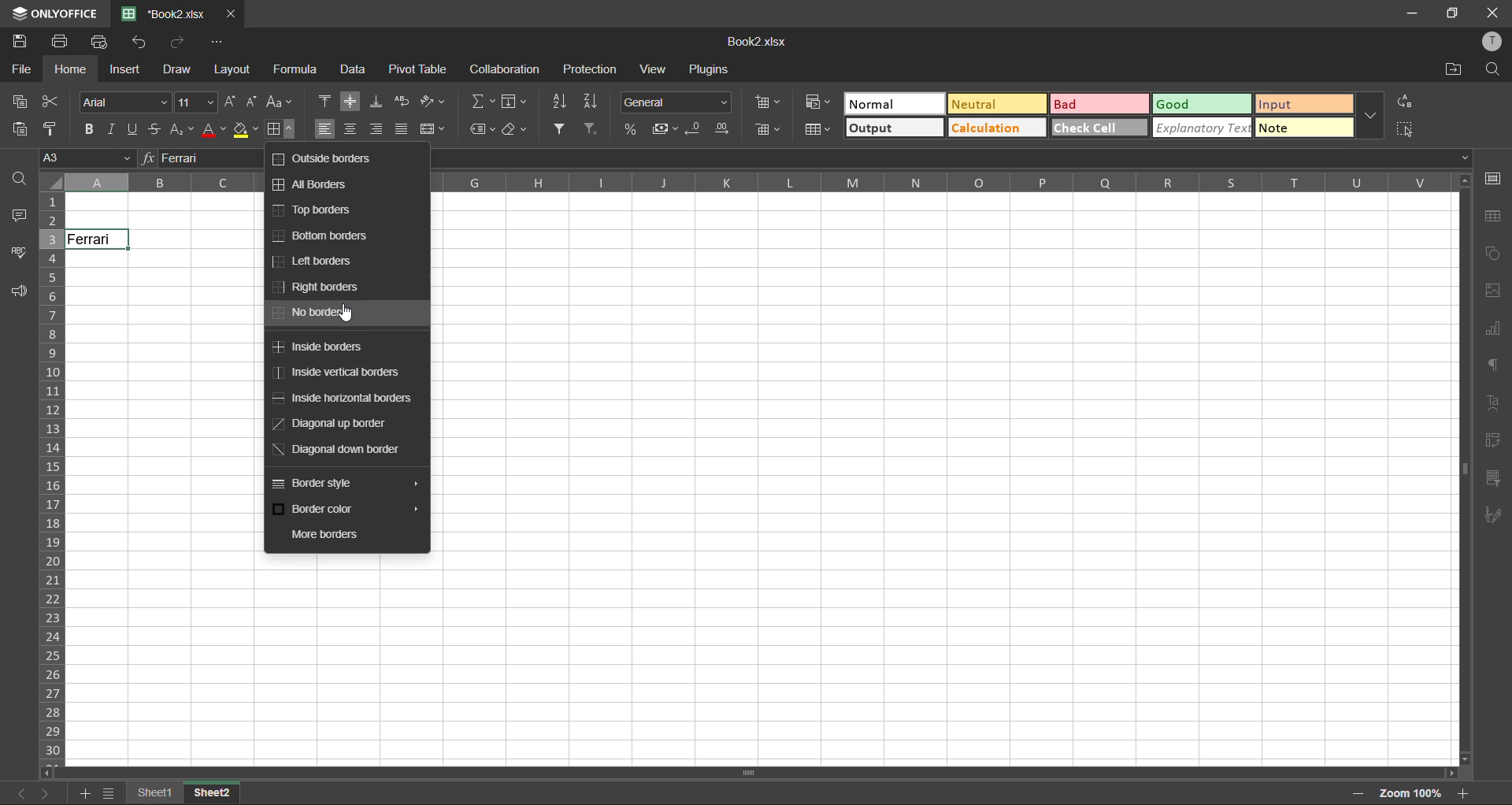  Describe the element at coordinates (320, 287) in the screenshot. I see `right borders` at that location.